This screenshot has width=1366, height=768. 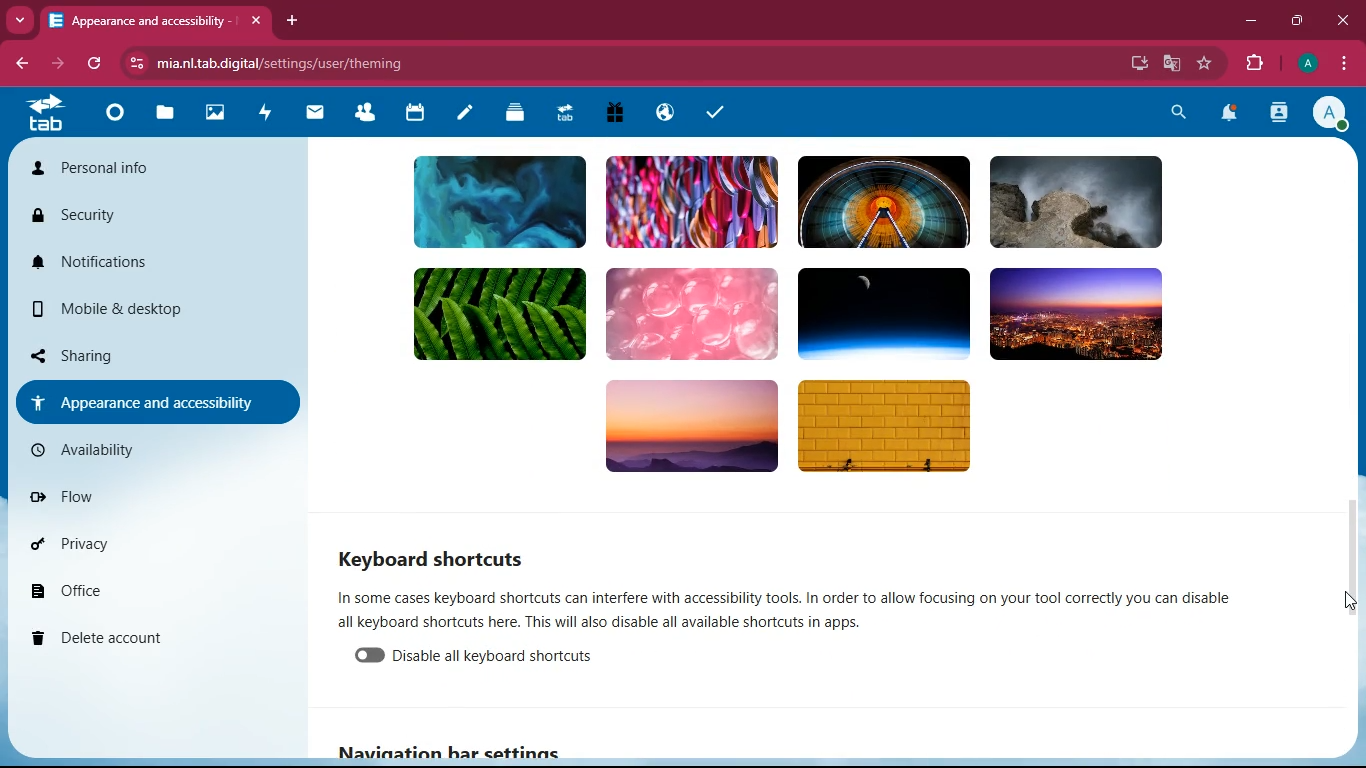 What do you see at coordinates (616, 112) in the screenshot?
I see `gift` at bounding box center [616, 112].